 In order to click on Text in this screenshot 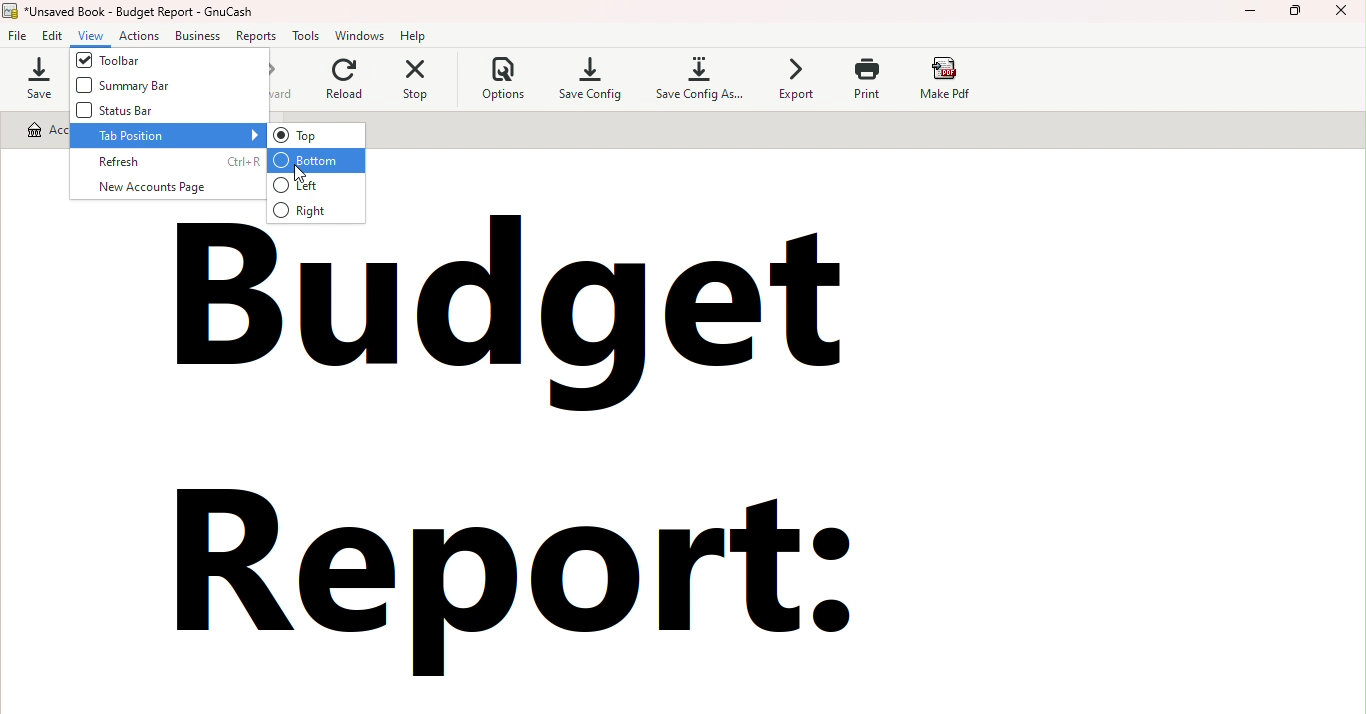, I will do `click(572, 453)`.